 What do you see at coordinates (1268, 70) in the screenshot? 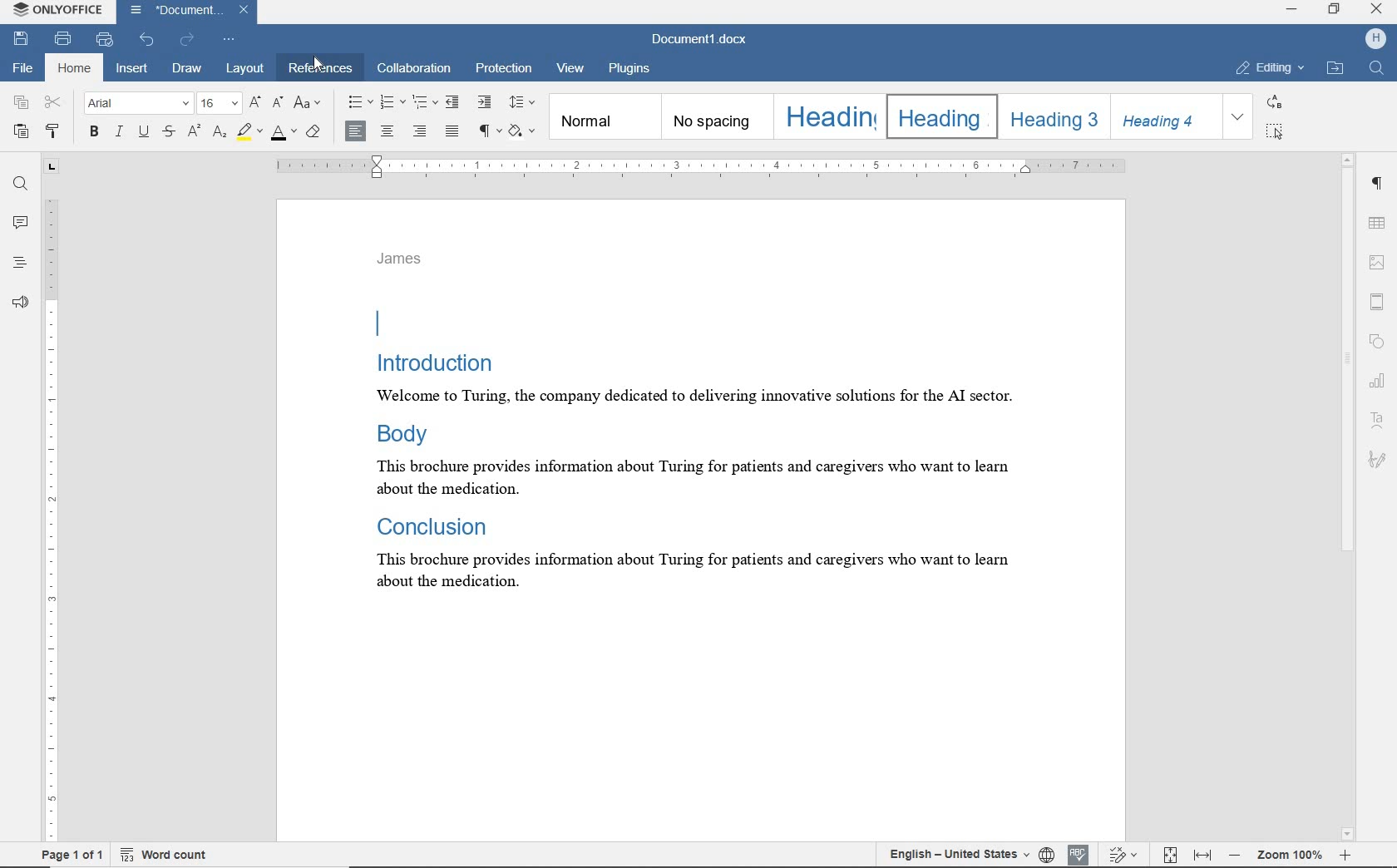
I see `EDITING` at bounding box center [1268, 70].